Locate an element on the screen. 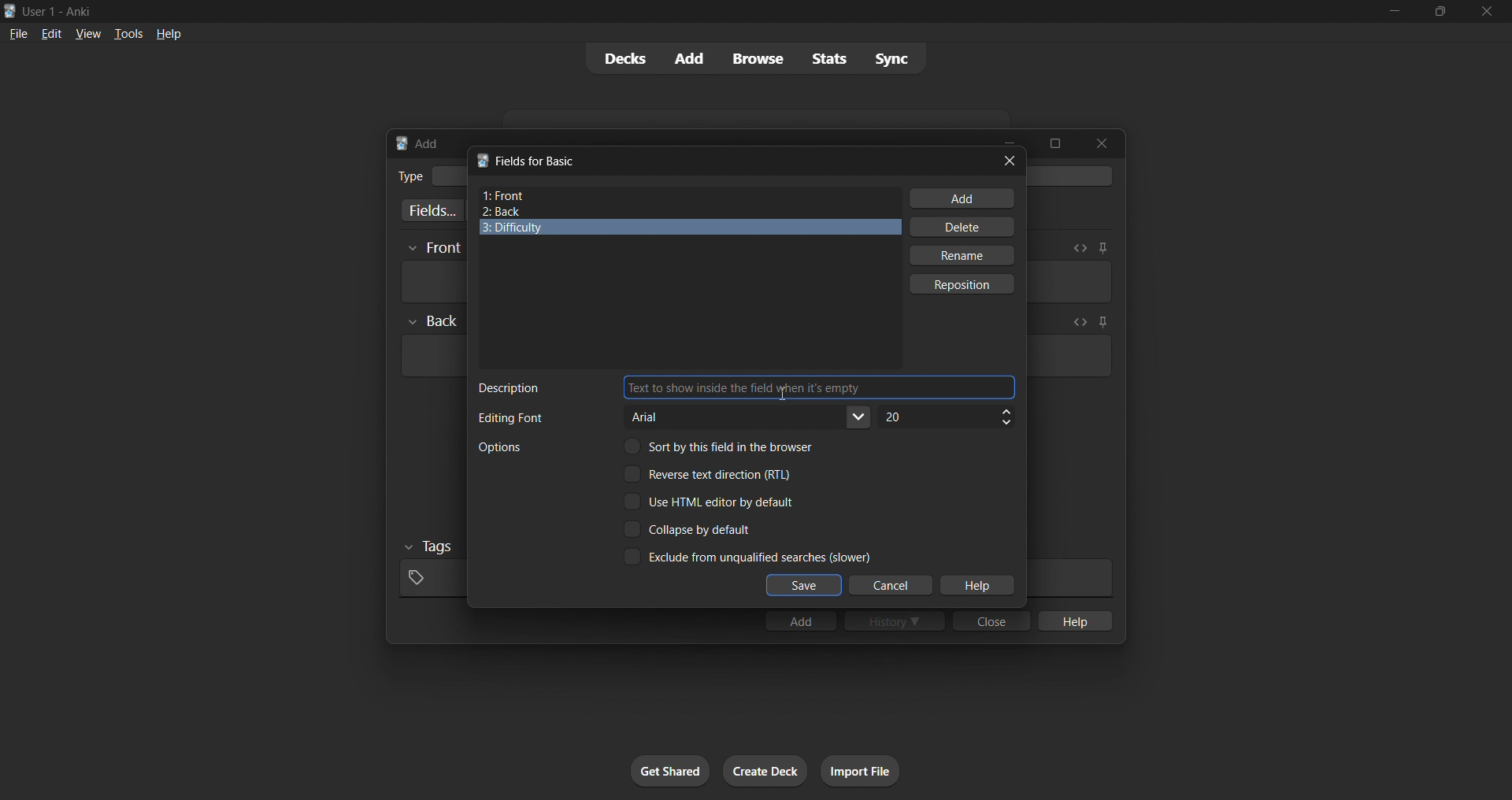  basic card type is located at coordinates (448, 176).